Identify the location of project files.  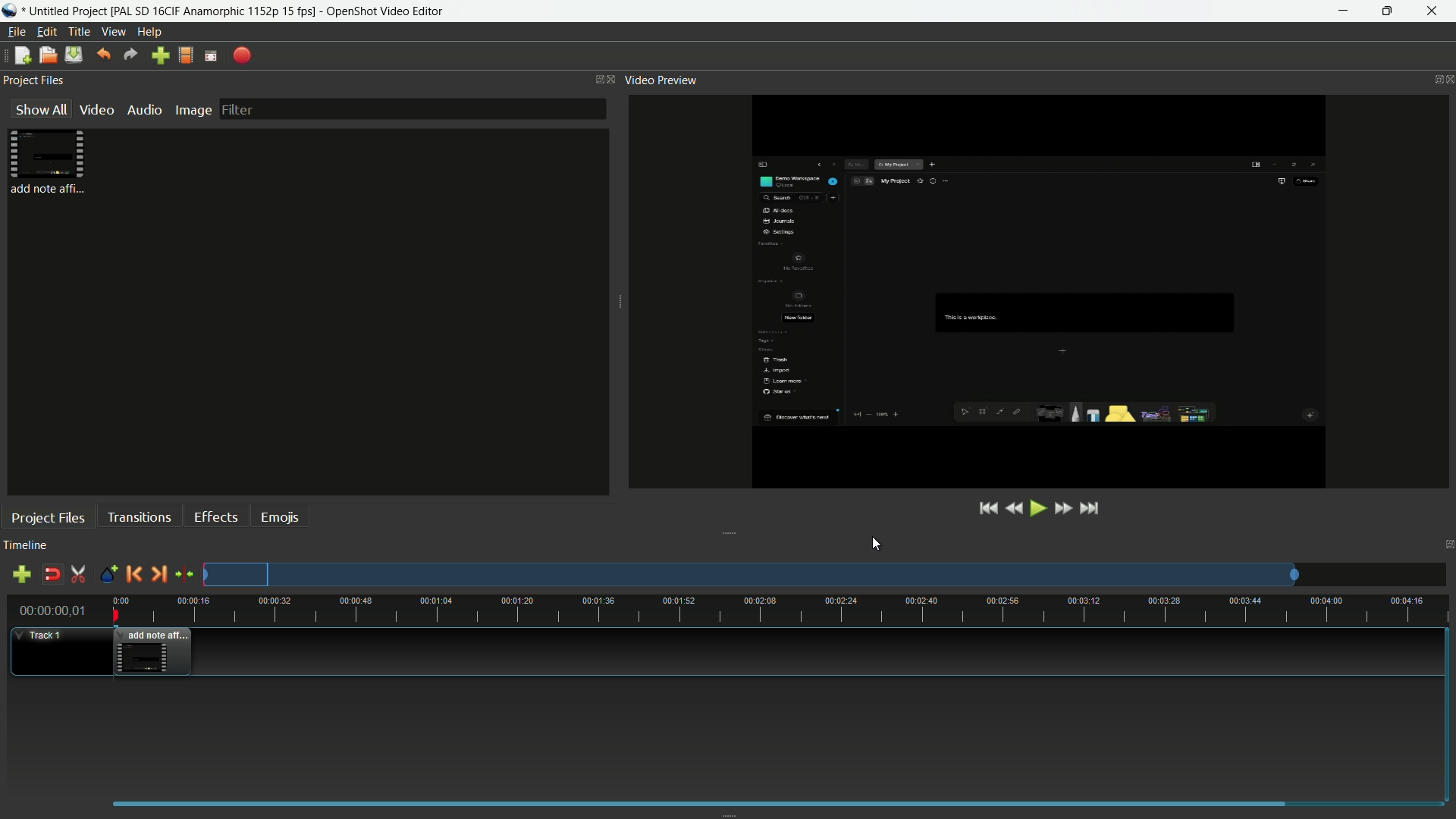
(47, 519).